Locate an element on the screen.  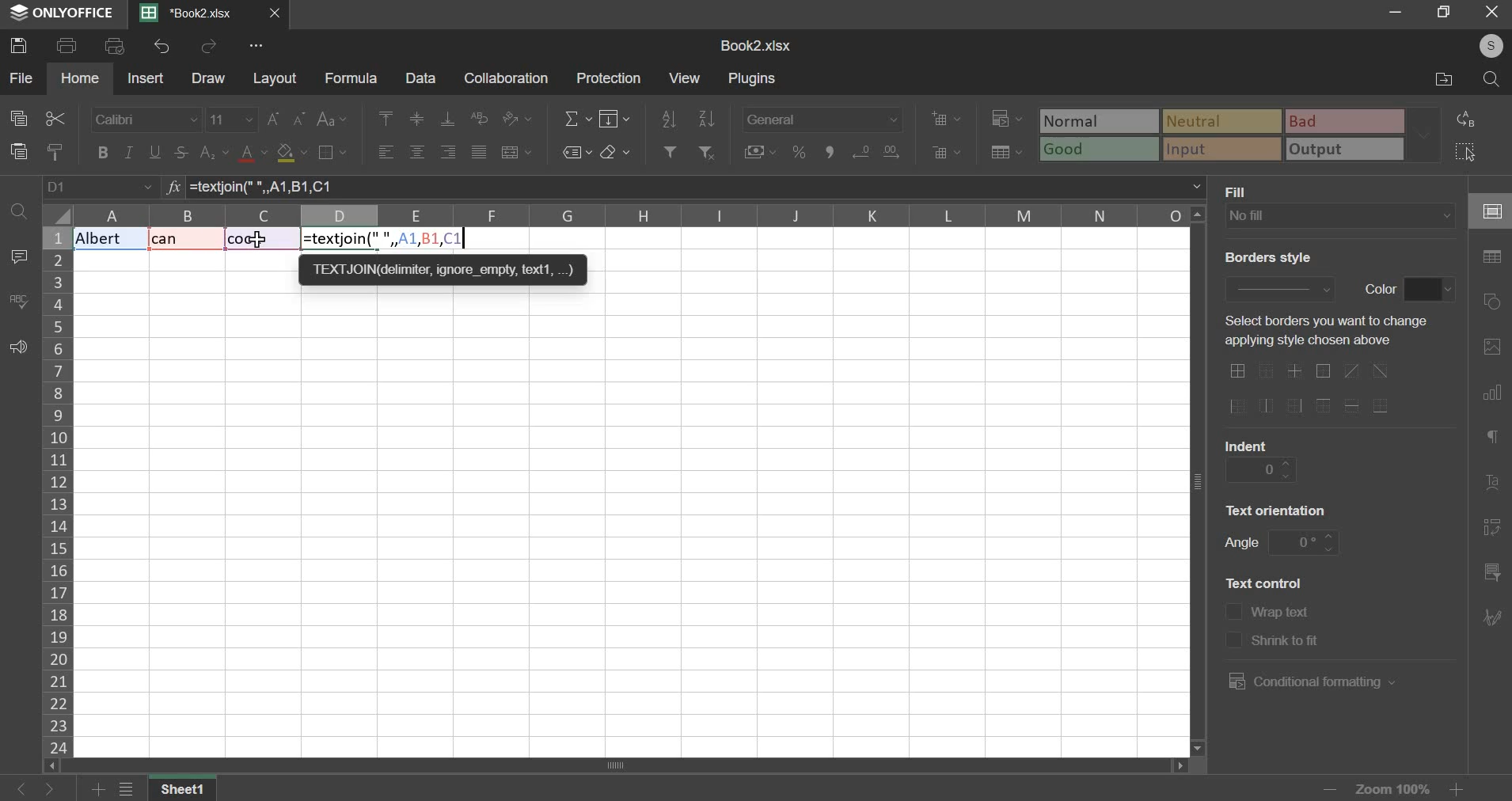
clear is located at coordinates (615, 152).